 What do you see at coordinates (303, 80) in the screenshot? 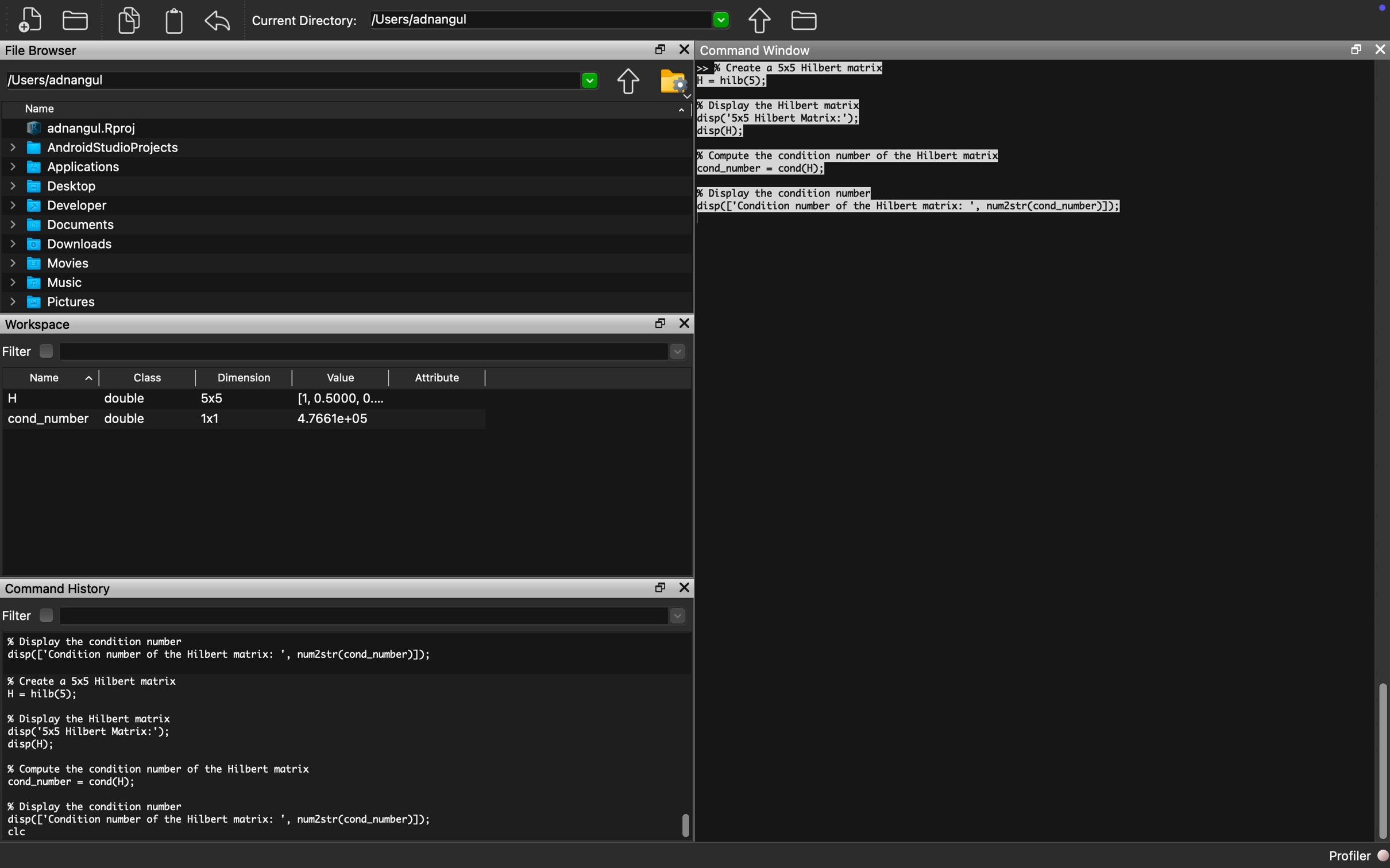
I see `/Users/adnangul ` at bounding box center [303, 80].